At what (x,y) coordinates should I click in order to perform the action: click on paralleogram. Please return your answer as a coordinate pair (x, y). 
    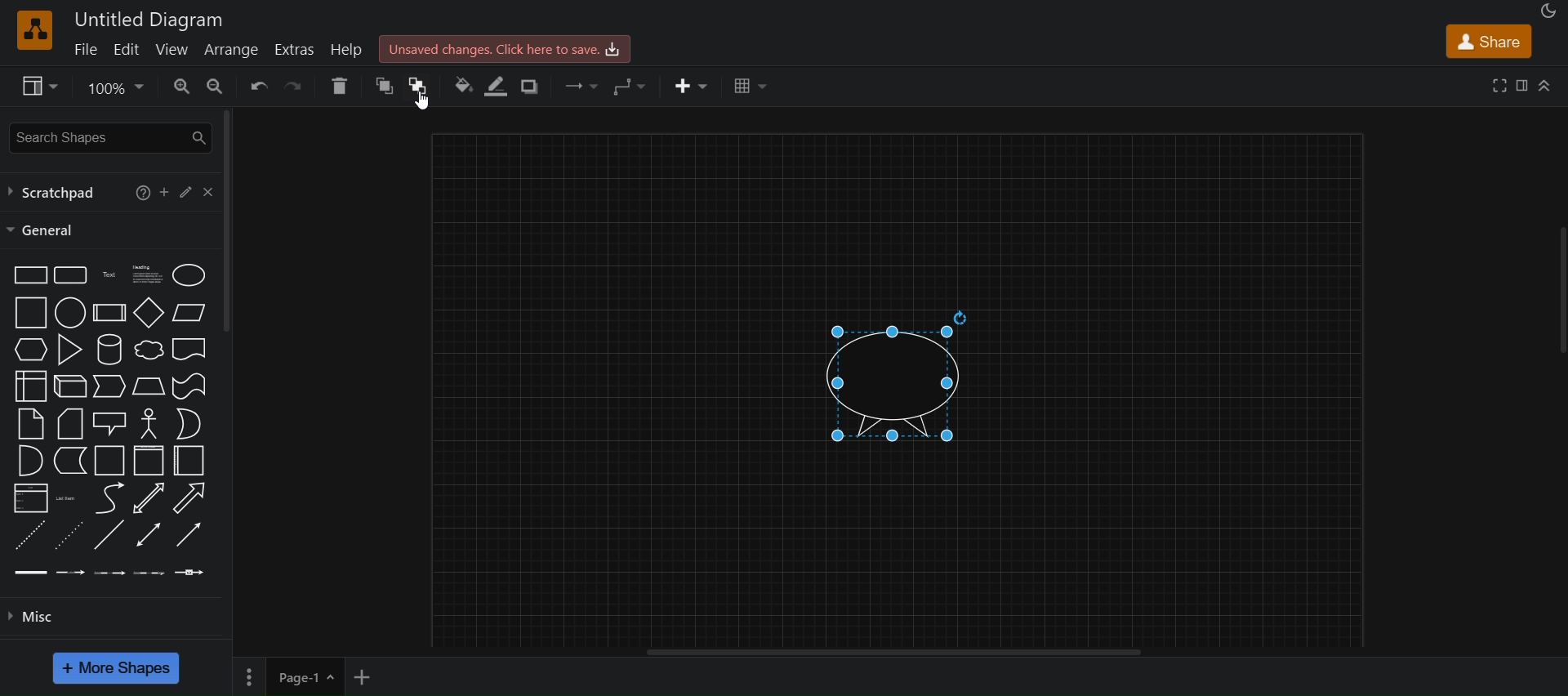
    Looking at the image, I should click on (189, 311).